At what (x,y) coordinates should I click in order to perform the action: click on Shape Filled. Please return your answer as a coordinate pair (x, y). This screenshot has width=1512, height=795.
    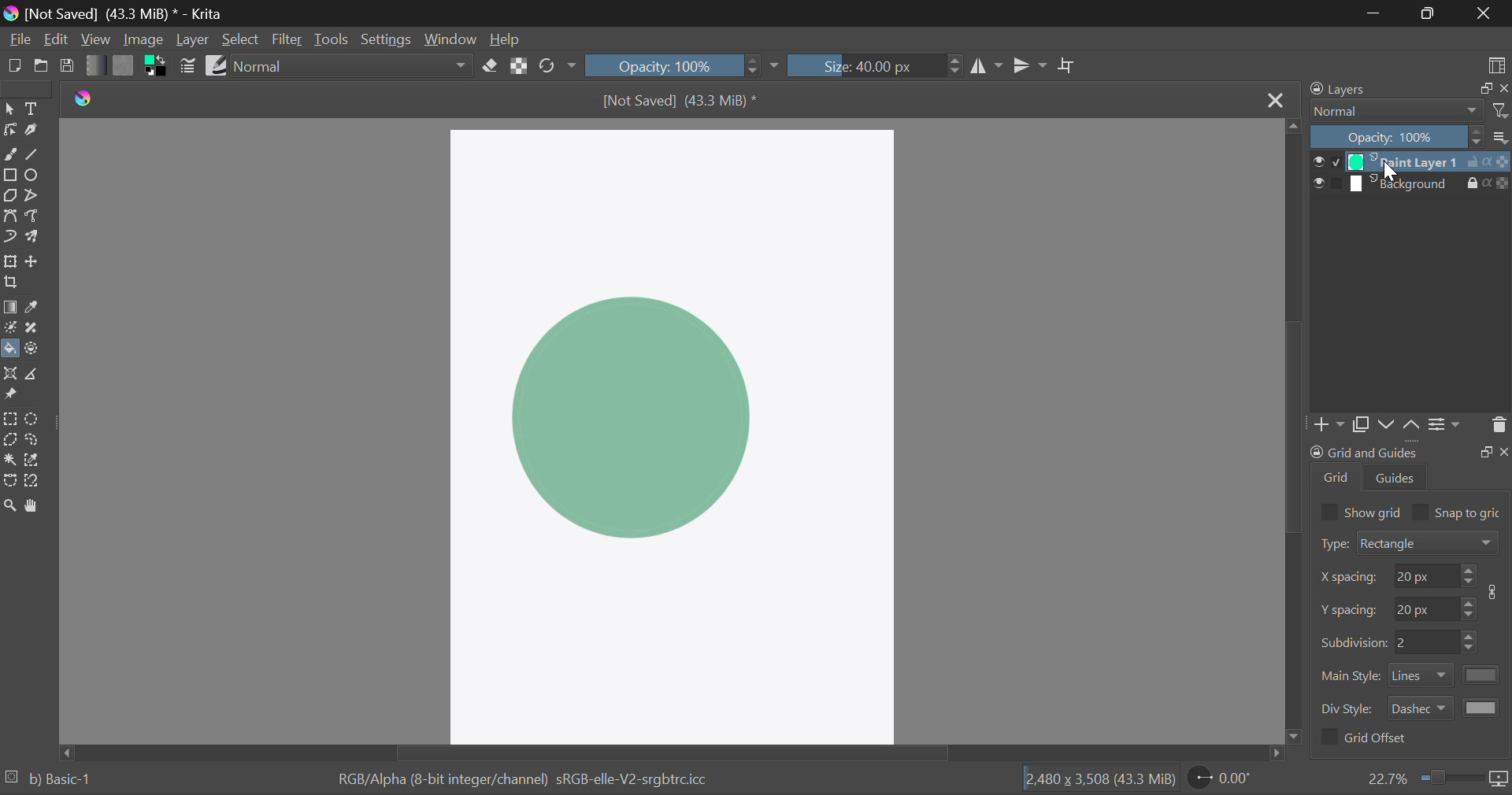
    Looking at the image, I should click on (638, 419).